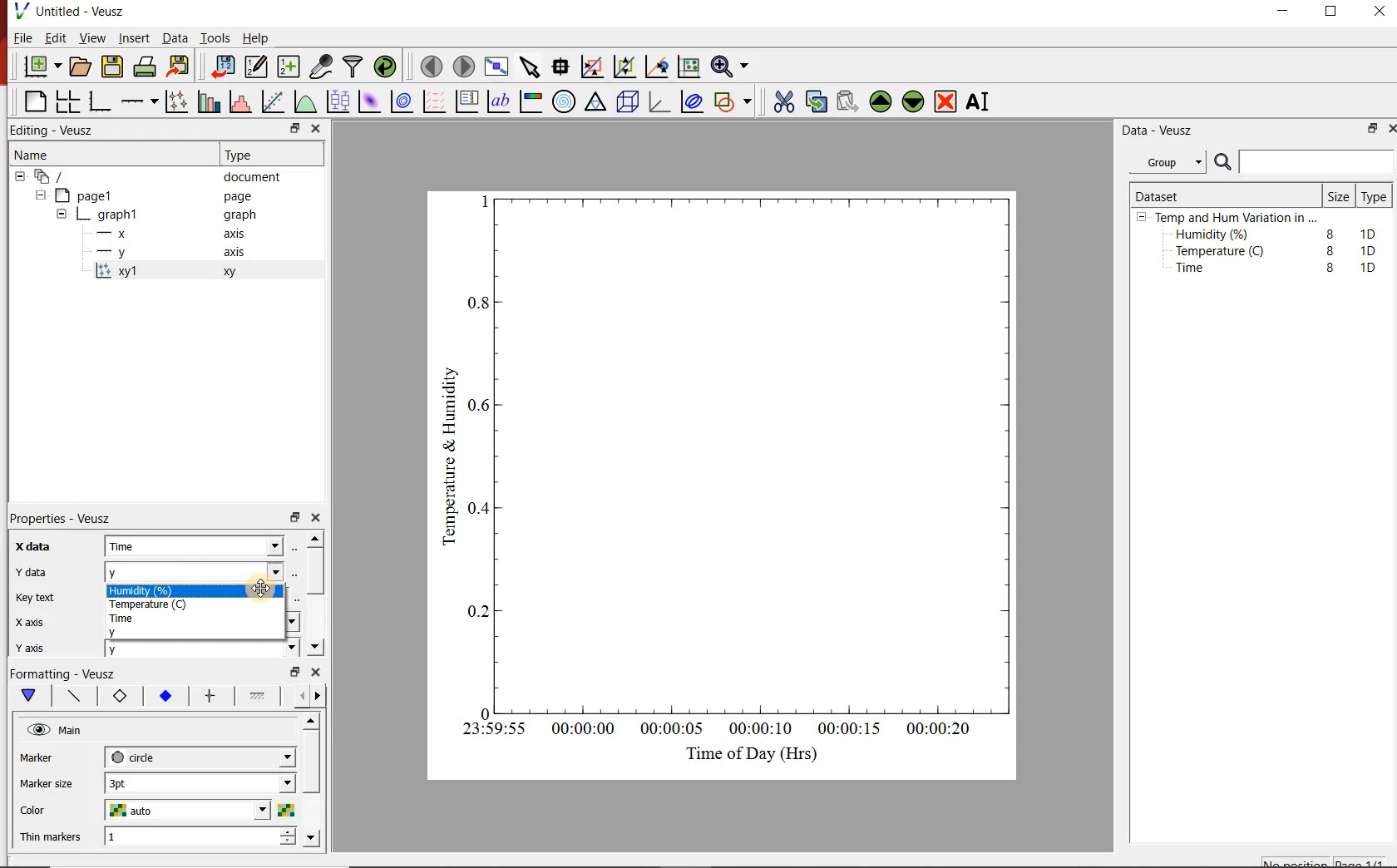 The height and width of the screenshot is (868, 1397). I want to click on close, so click(317, 128).